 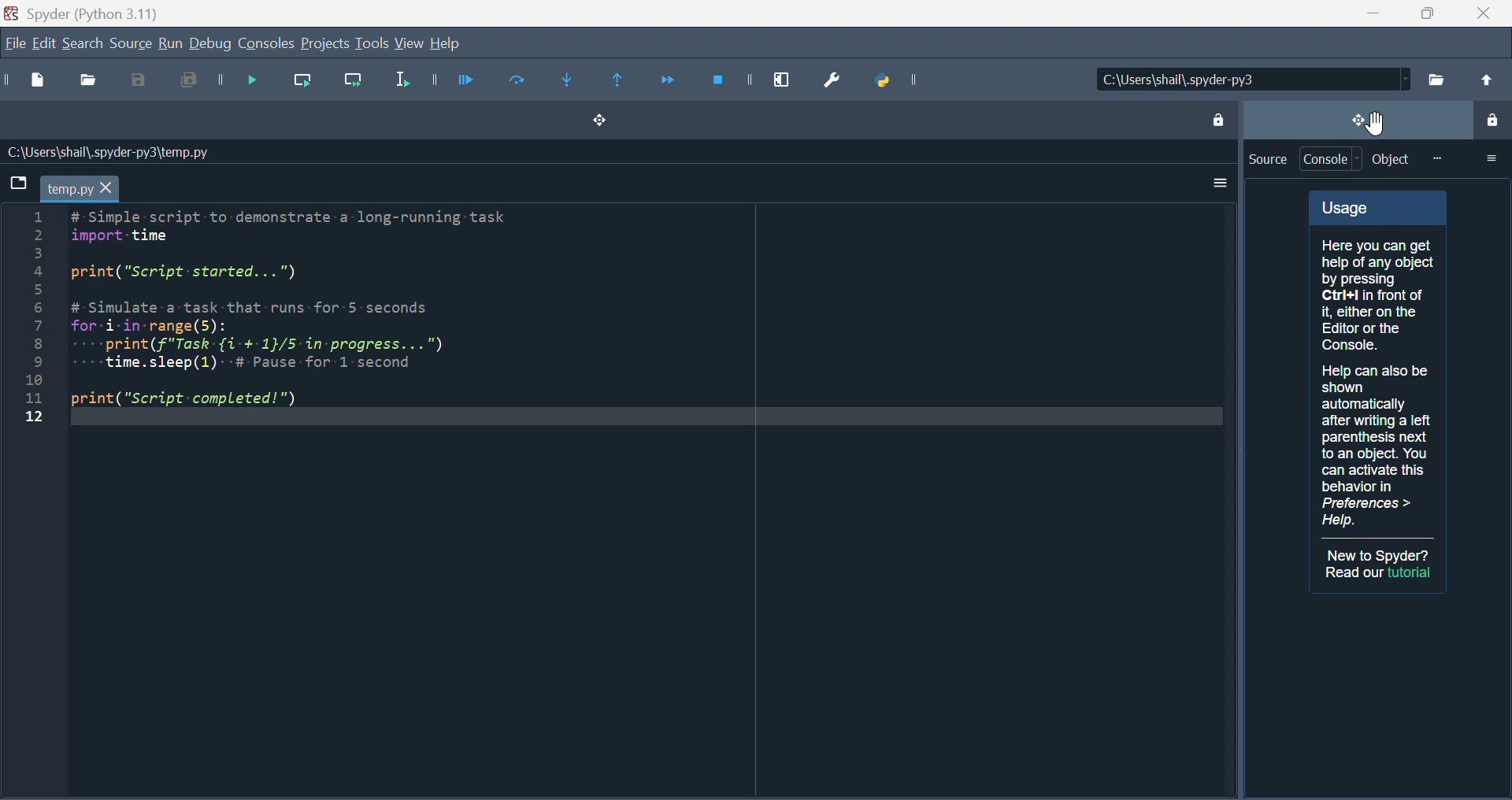 What do you see at coordinates (130, 43) in the screenshot?
I see `Source` at bounding box center [130, 43].